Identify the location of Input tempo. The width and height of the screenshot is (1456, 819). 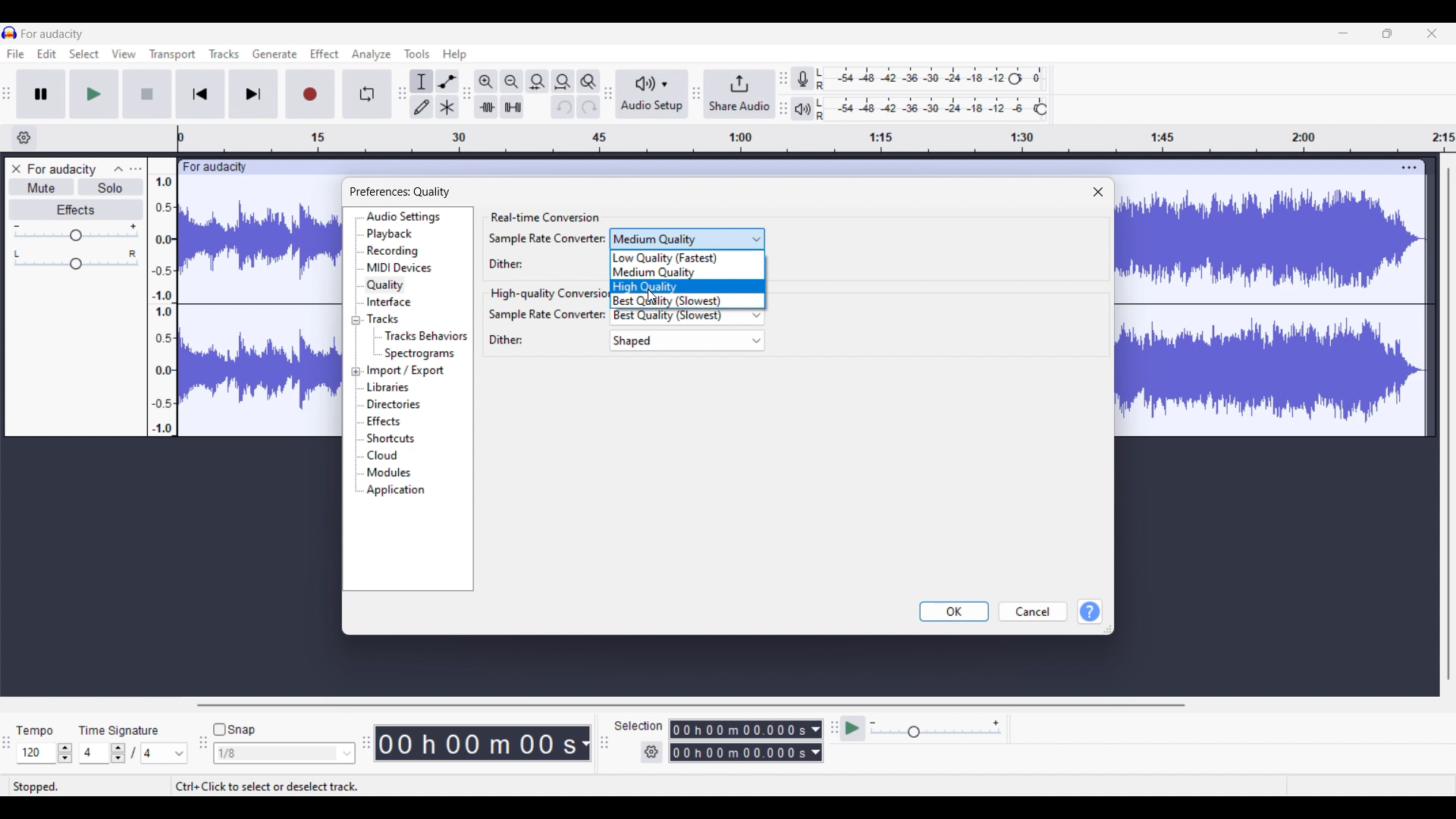
(36, 753).